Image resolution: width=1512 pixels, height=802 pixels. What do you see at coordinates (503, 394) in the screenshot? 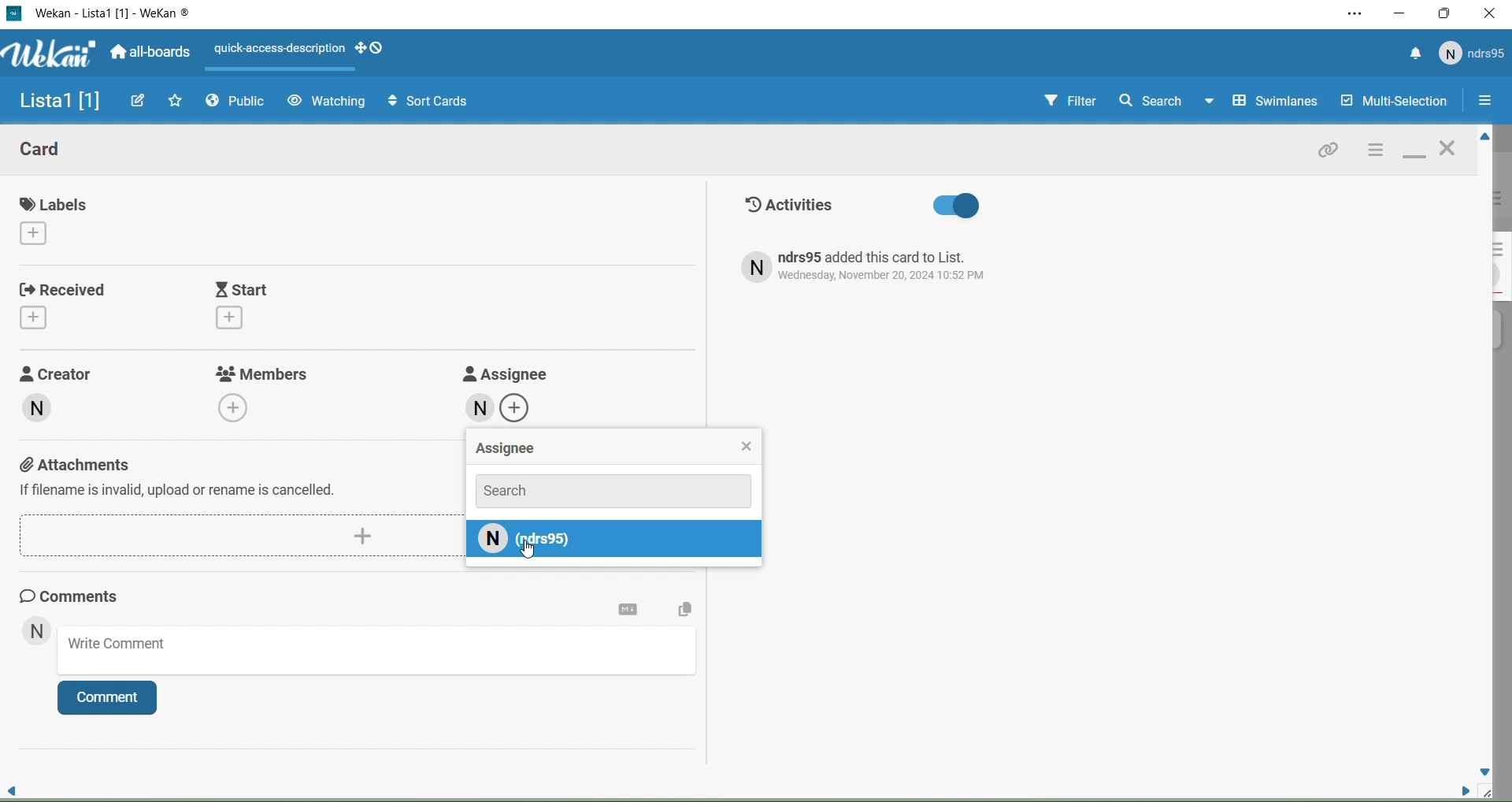
I see `Asignee` at bounding box center [503, 394].